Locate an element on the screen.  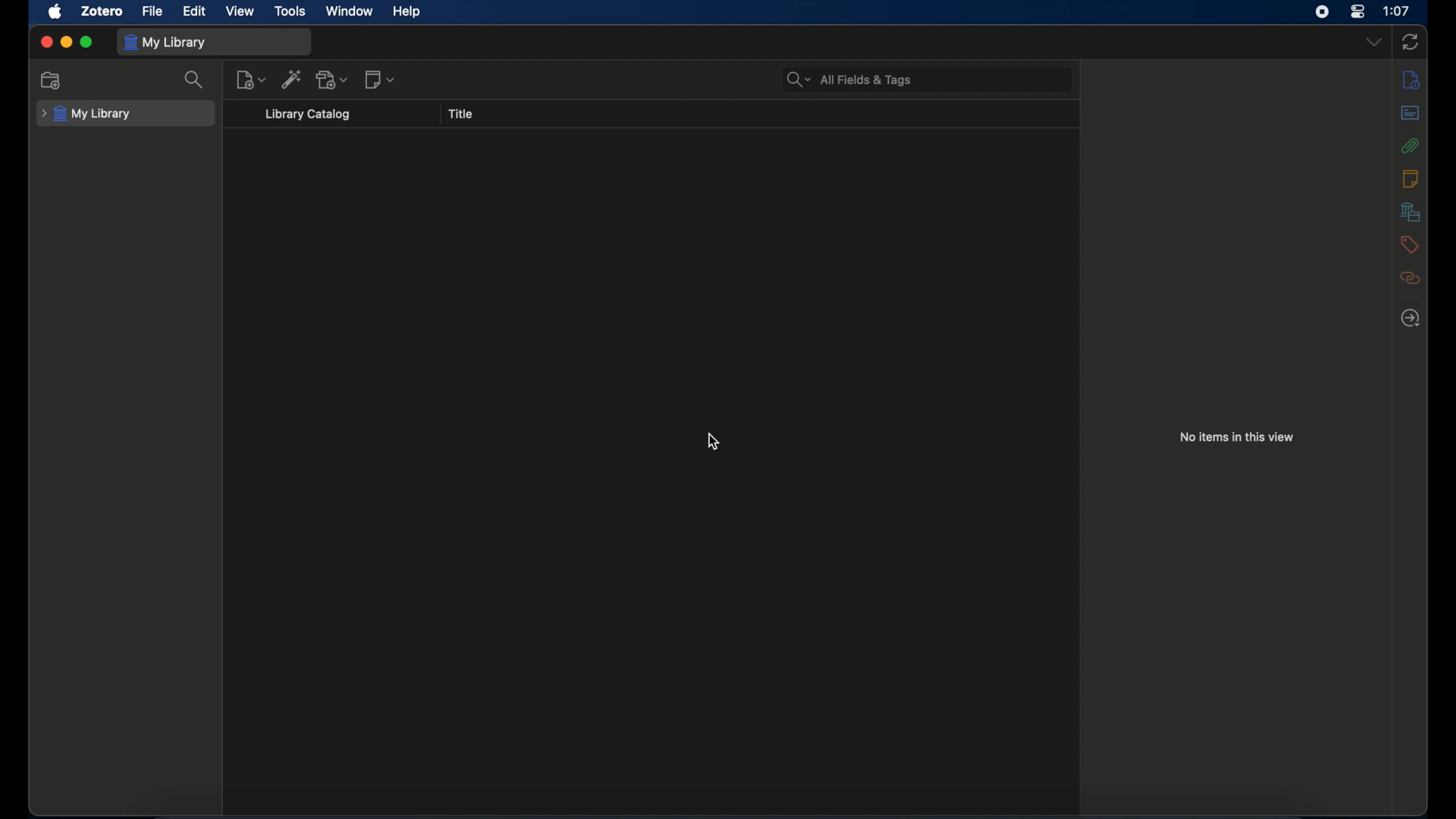
my library is located at coordinates (164, 43).